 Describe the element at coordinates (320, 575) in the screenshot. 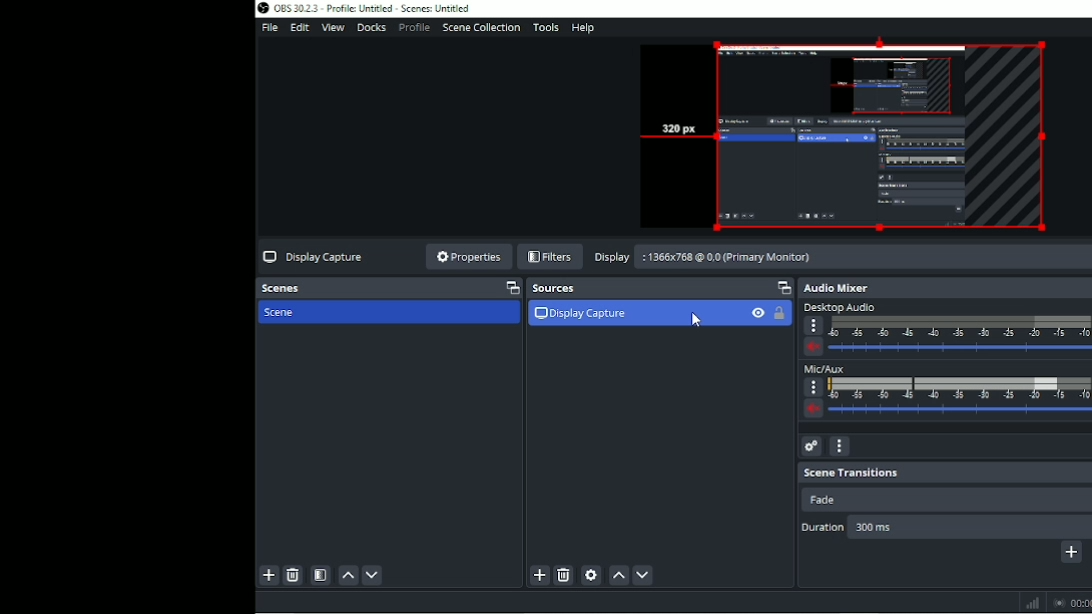

I see `Open scene filters` at that location.